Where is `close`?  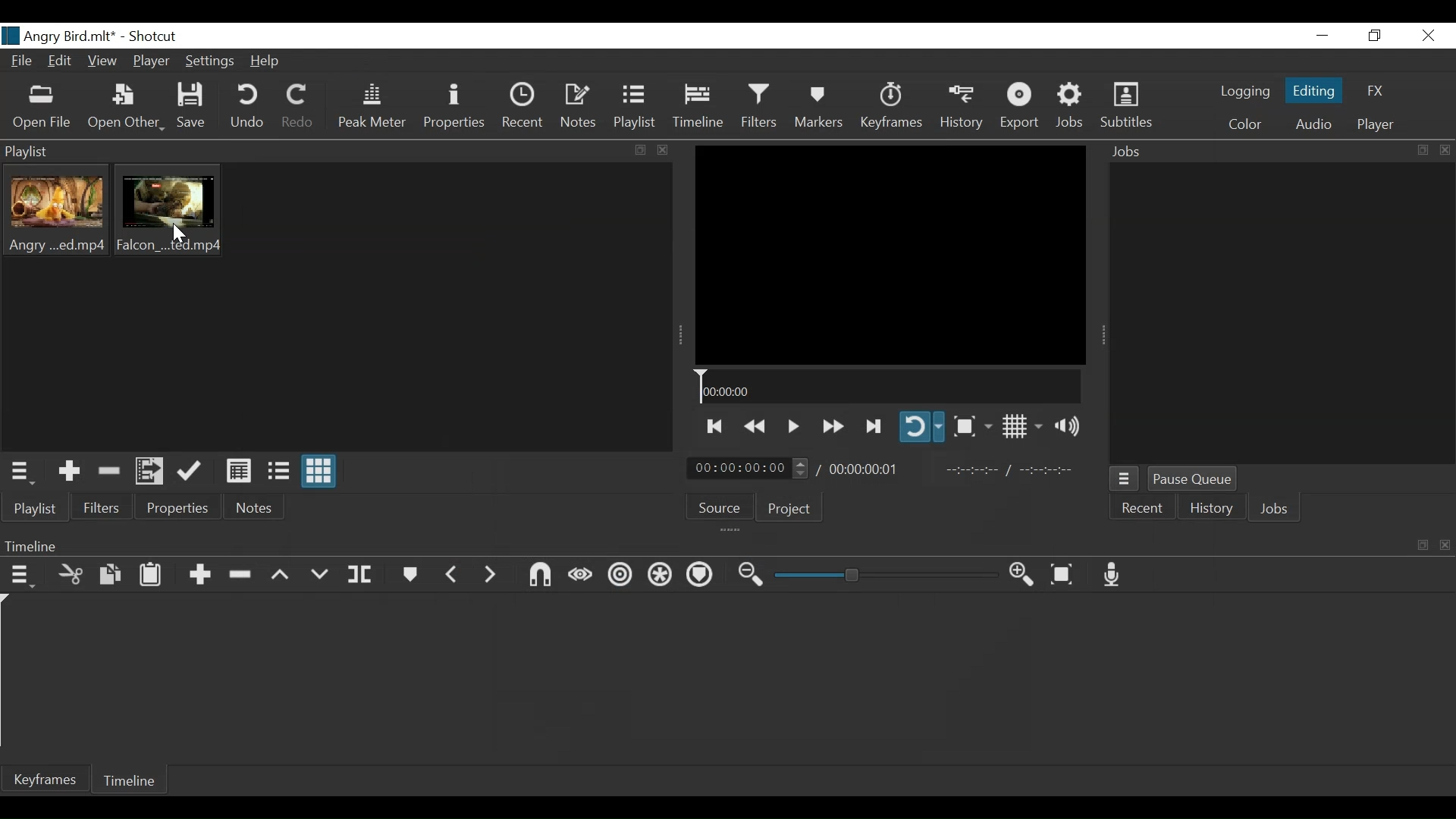 close is located at coordinates (1445, 150).